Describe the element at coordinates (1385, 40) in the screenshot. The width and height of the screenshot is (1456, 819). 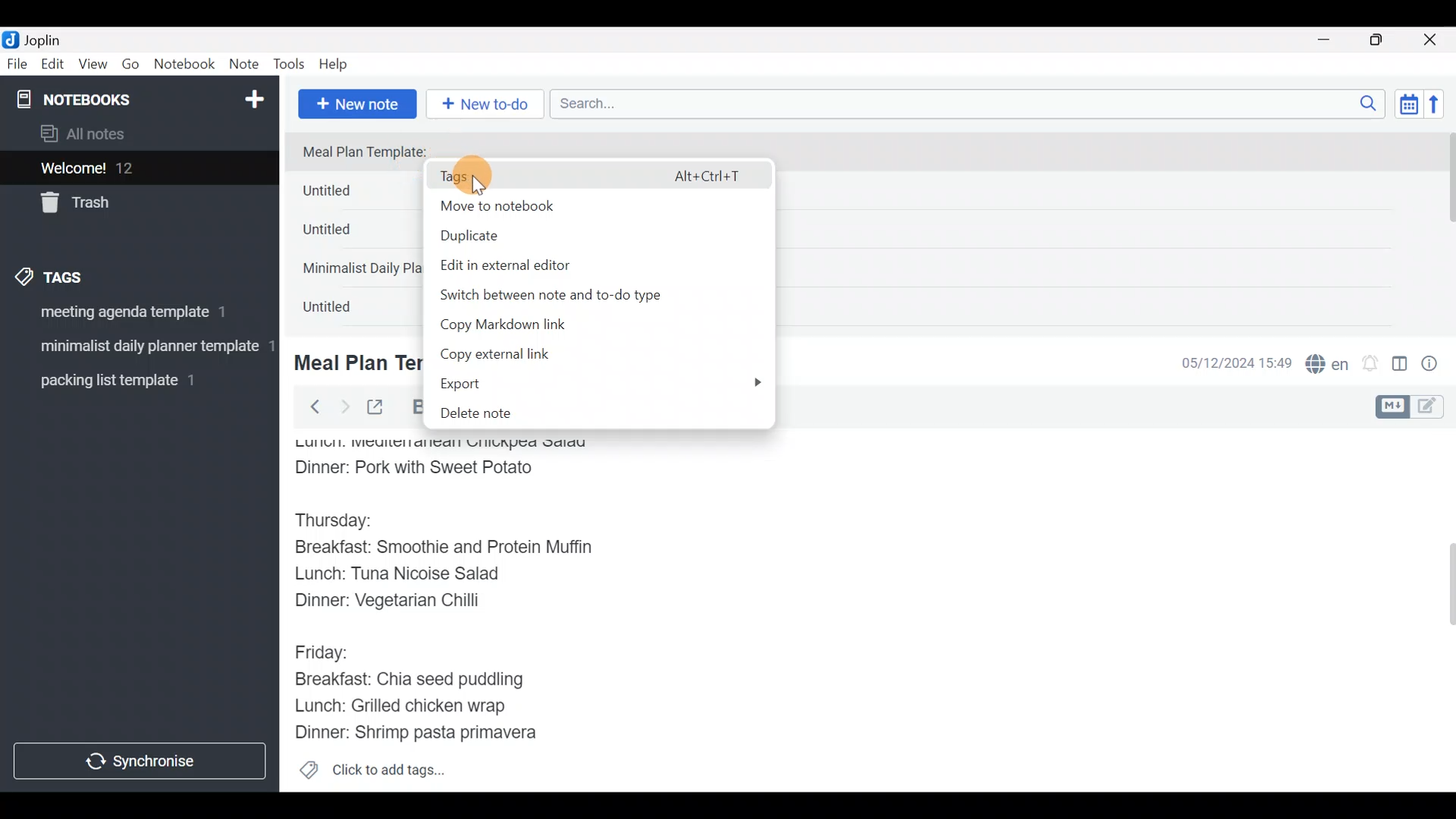
I see `Maximize` at that location.